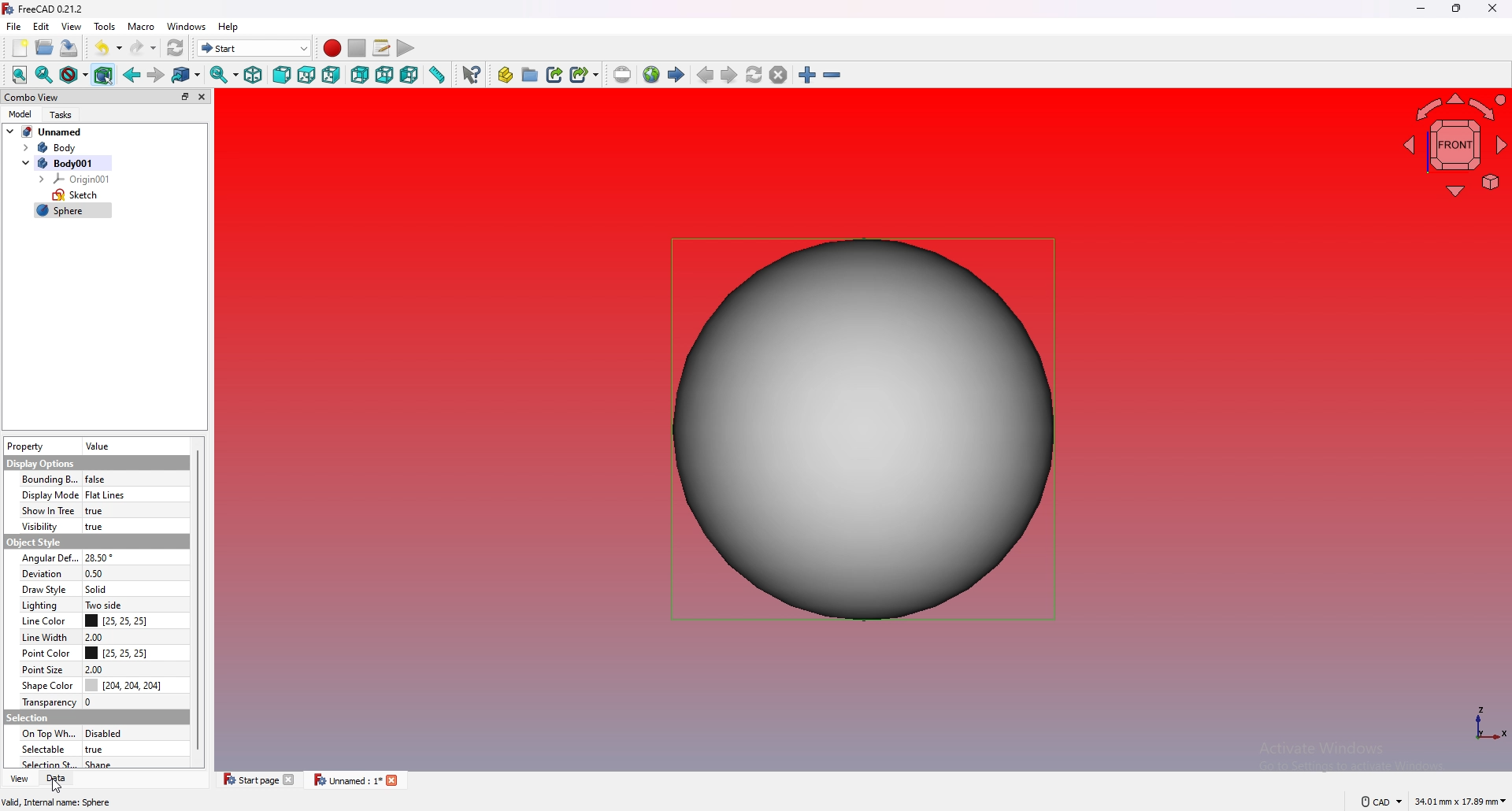 The width and height of the screenshot is (1512, 811). Describe the element at coordinates (14, 27) in the screenshot. I see `file` at that location.